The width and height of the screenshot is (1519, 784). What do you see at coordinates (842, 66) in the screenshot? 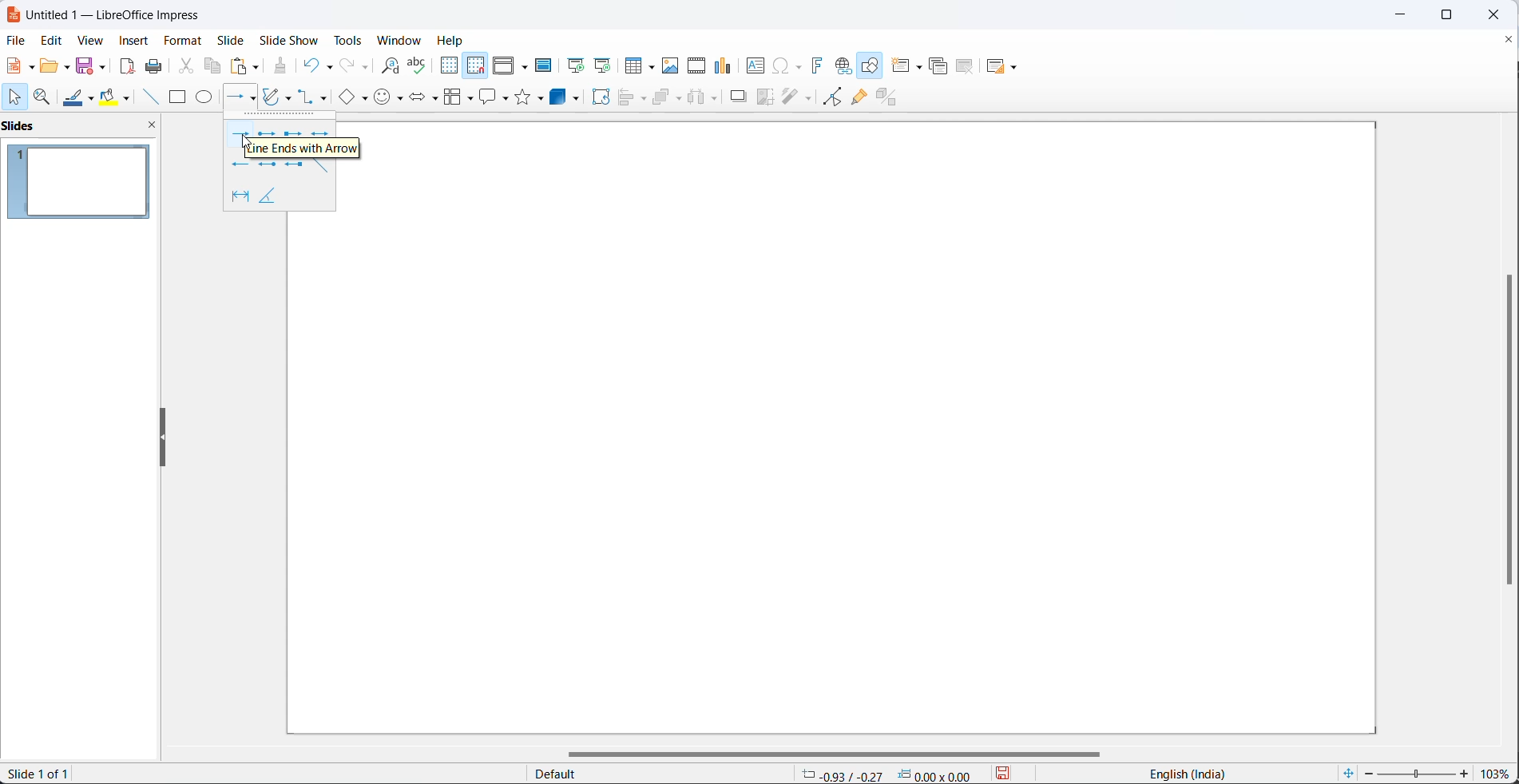
I see `insert hyperlink` at bounding box center [842, 66].